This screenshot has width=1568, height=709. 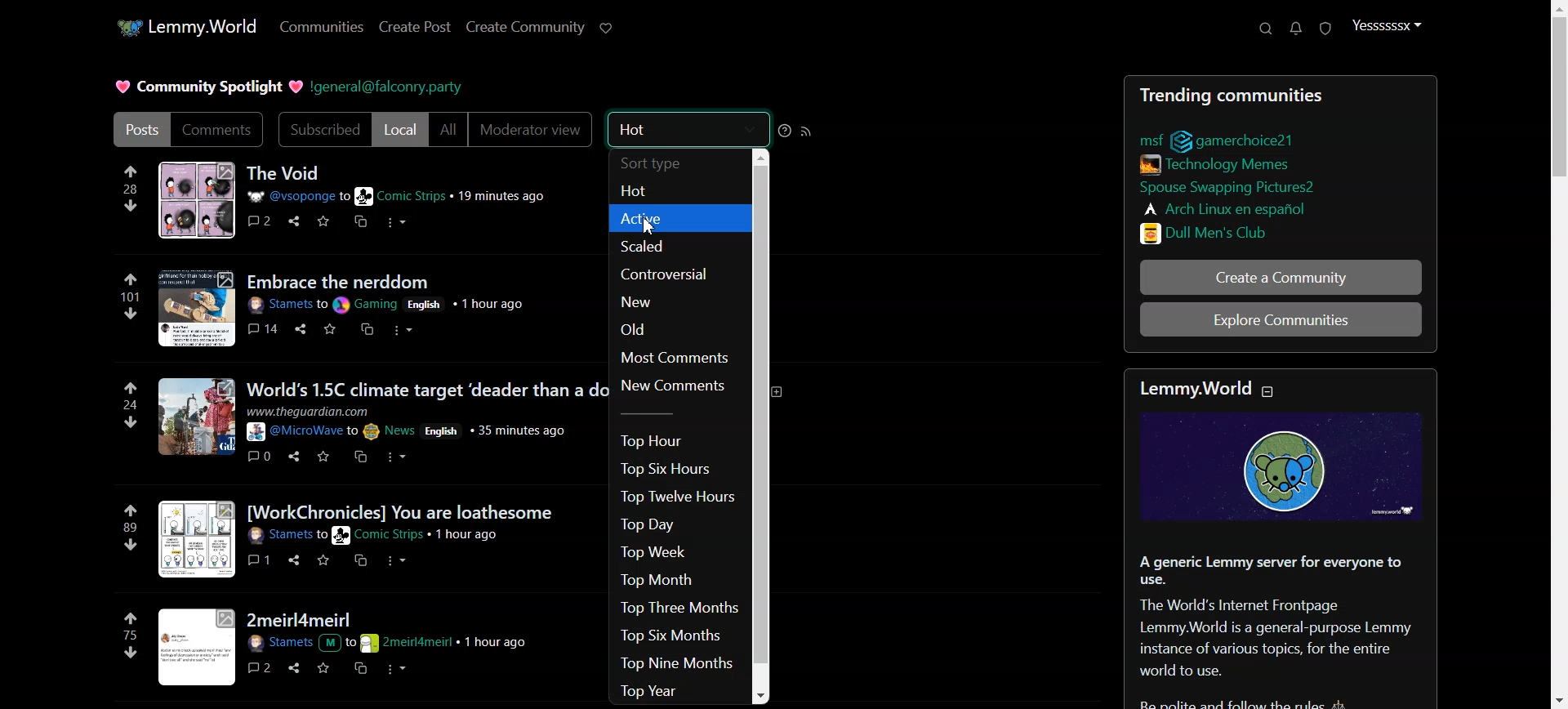 I want to click on Top Three Months, so click(x=677, y=607).